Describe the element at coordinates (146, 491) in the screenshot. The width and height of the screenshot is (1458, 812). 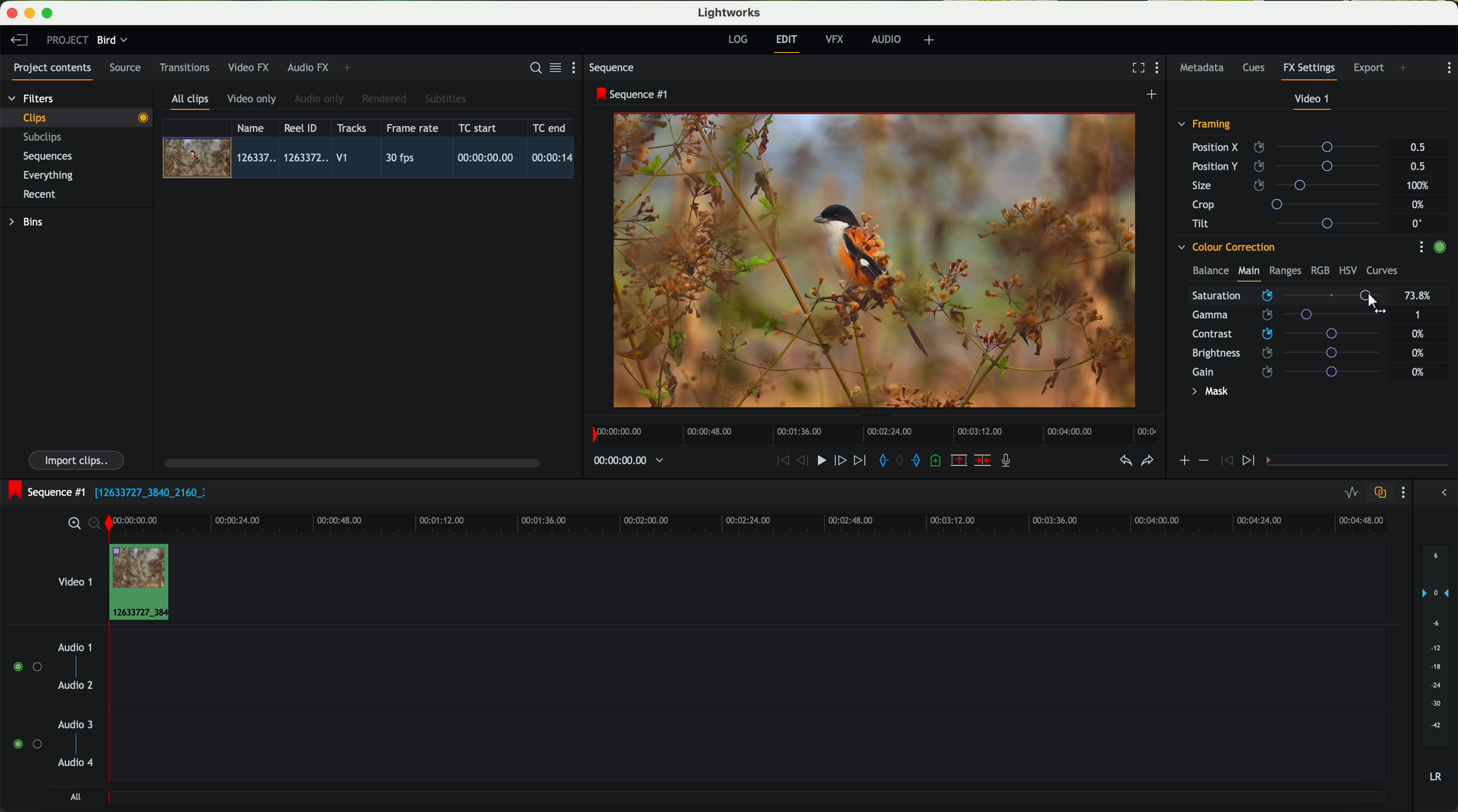
I see `black` at that location.